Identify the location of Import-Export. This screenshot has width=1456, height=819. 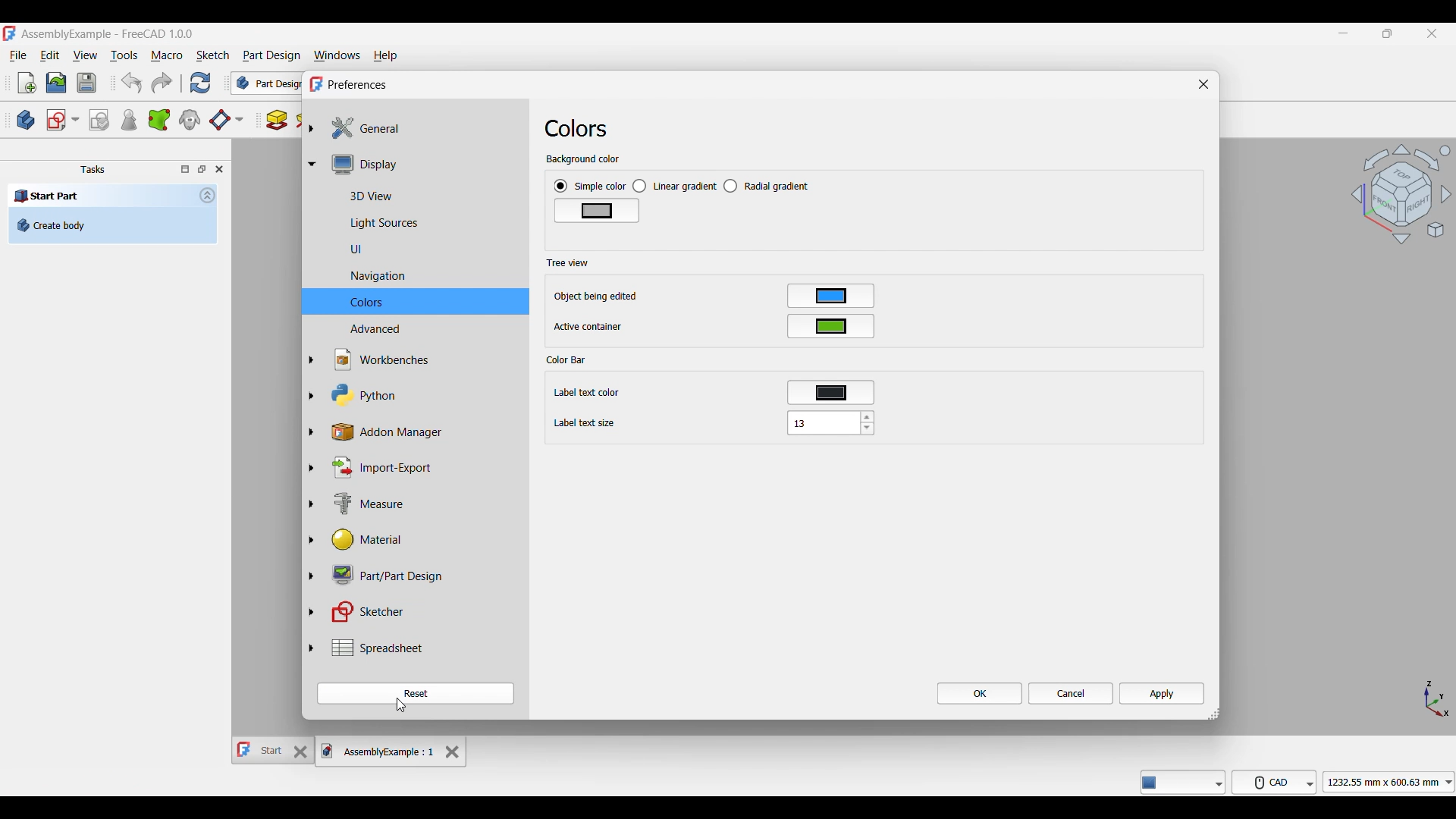
(375, 469).